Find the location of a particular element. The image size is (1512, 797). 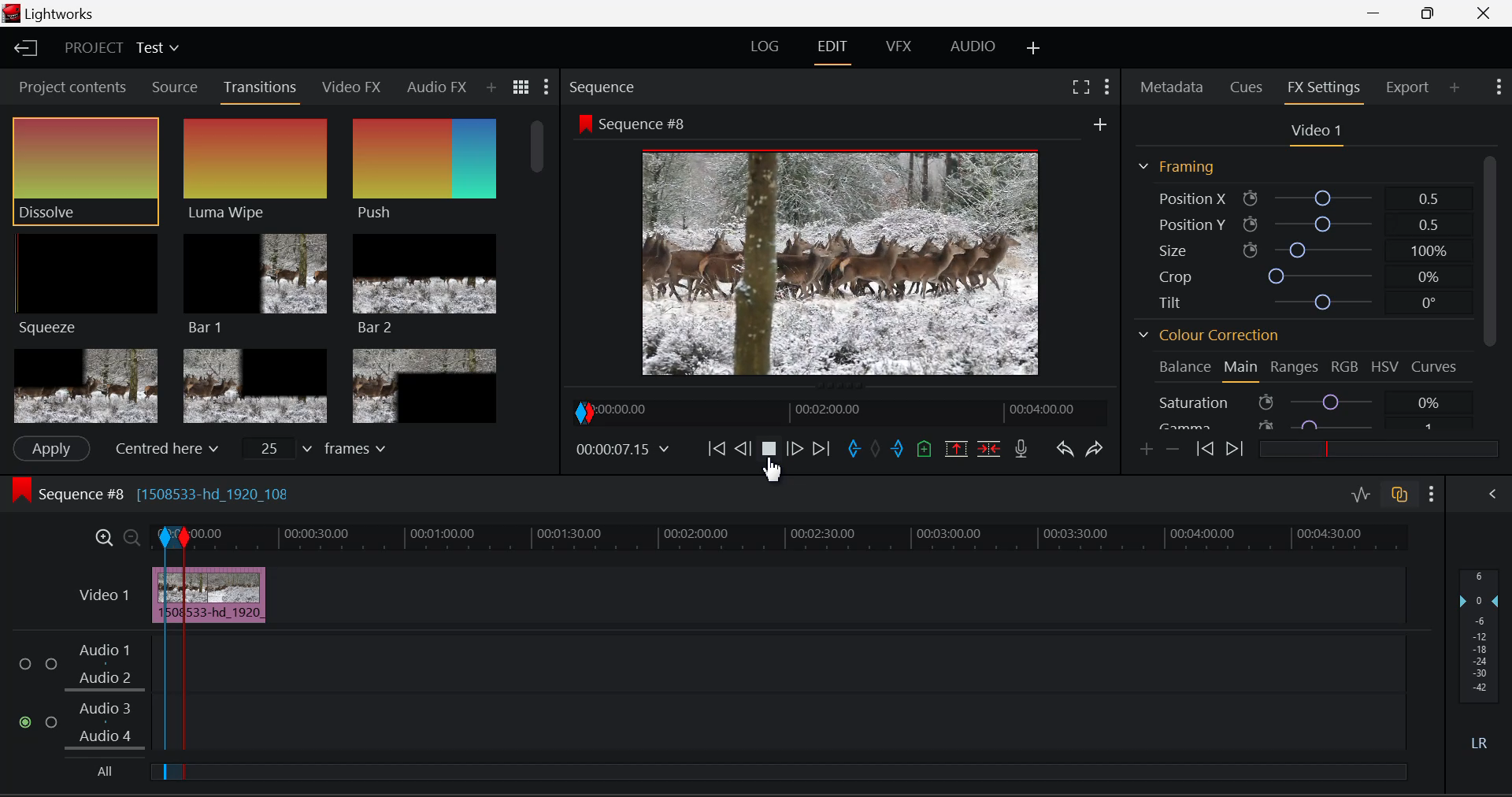

Full Screen is located at coordinates (1083, 87).